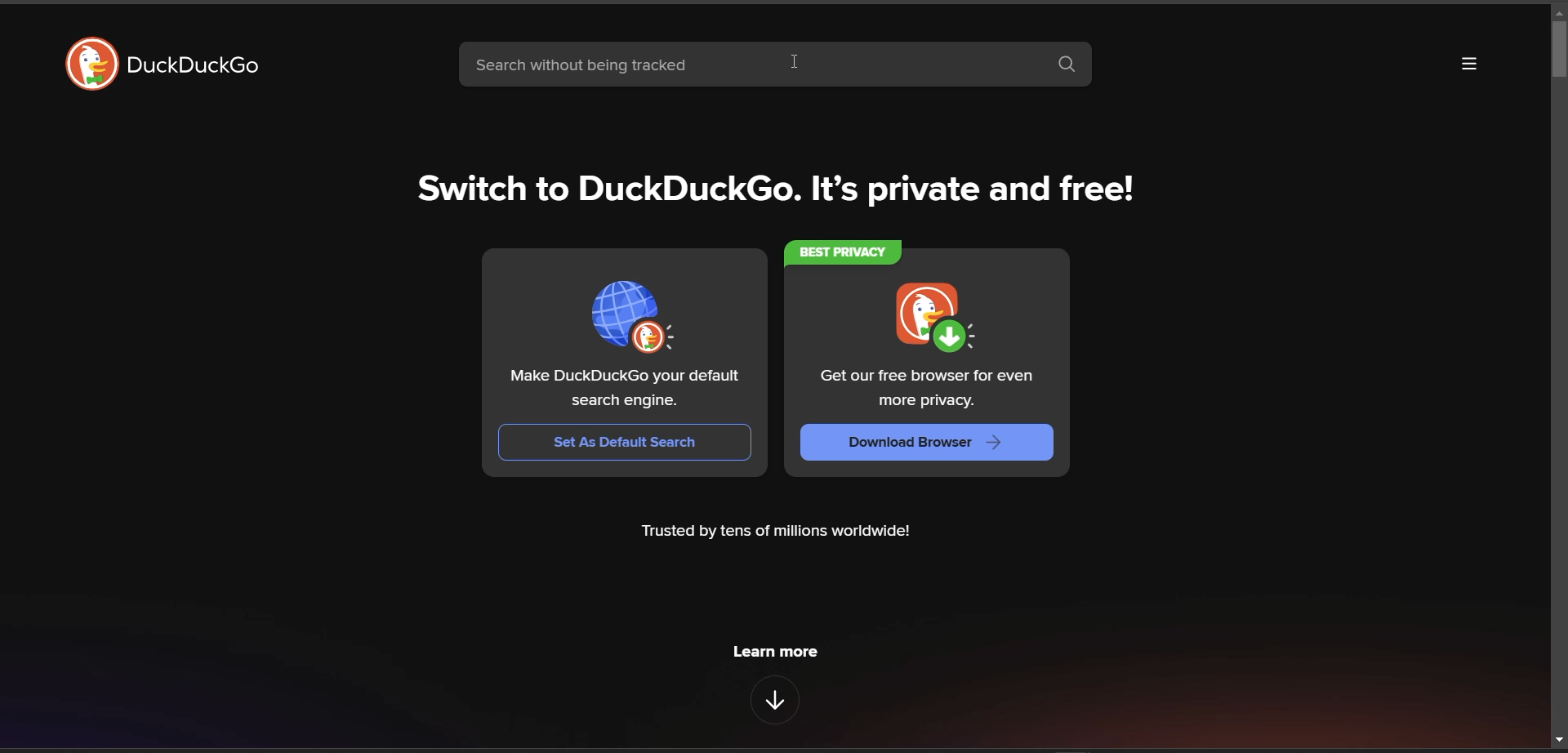  I want to click on set as default browser, so click(626, 443).